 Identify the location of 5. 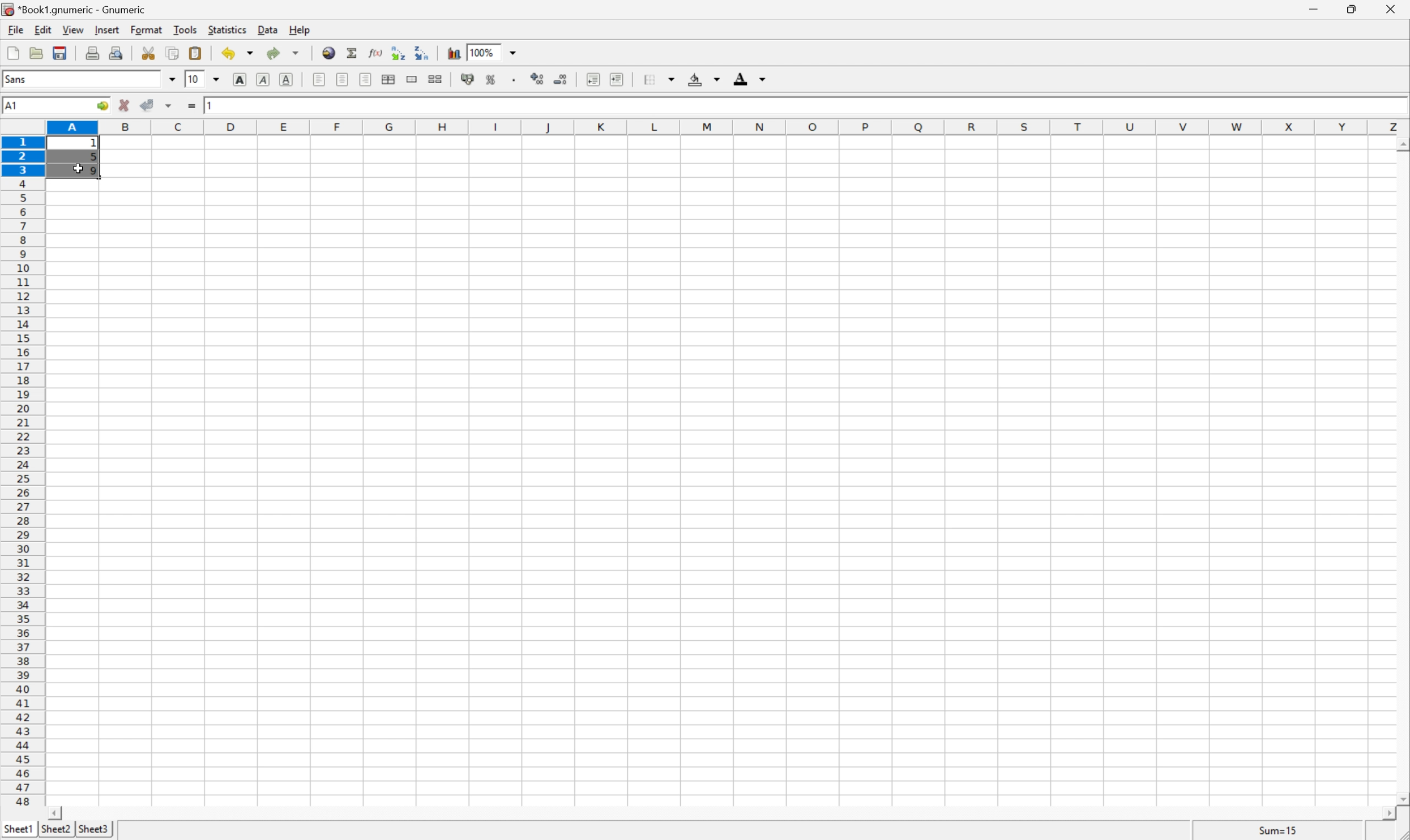
(93, 158).